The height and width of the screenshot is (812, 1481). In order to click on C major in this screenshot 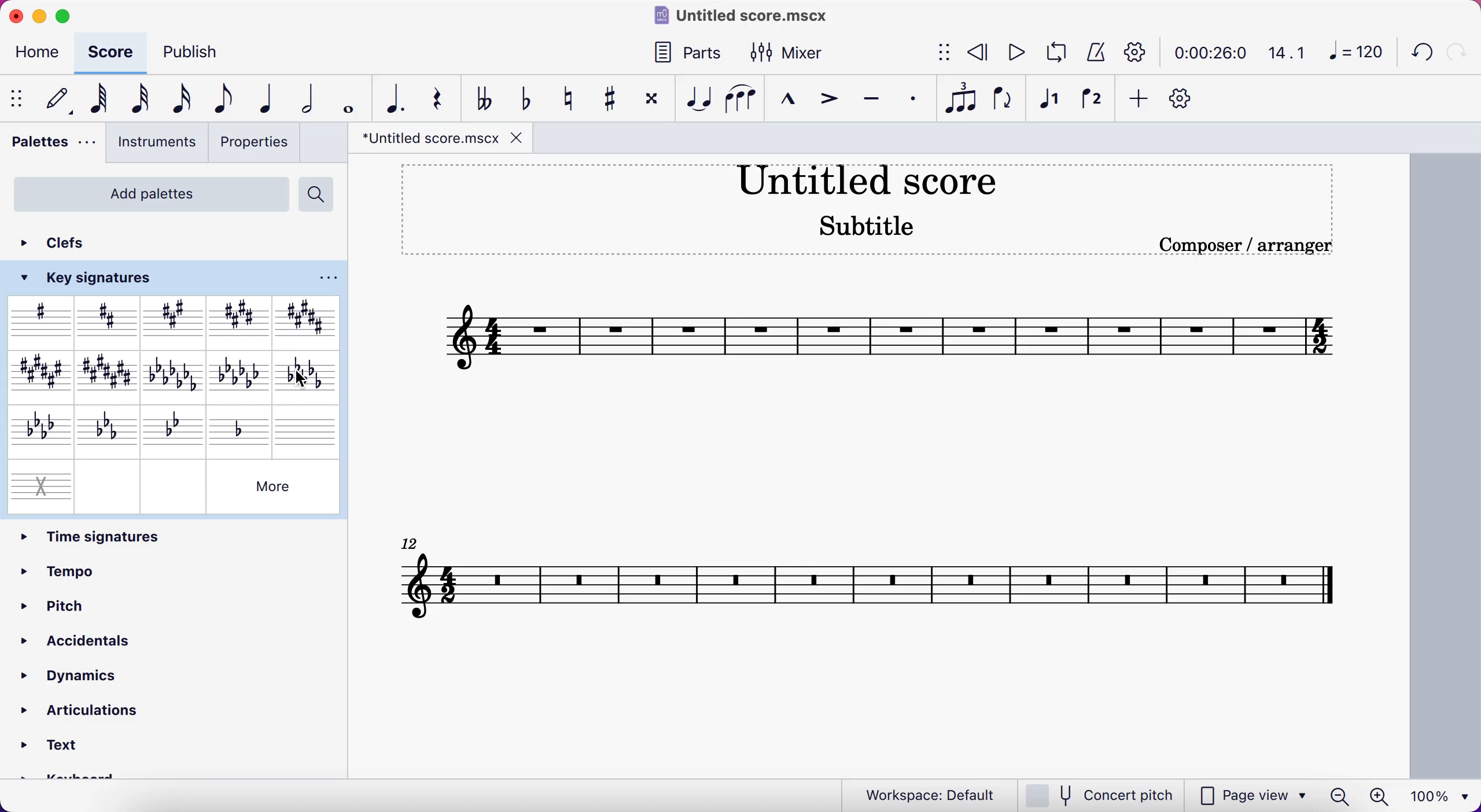, I will do `click(109, 375)`.